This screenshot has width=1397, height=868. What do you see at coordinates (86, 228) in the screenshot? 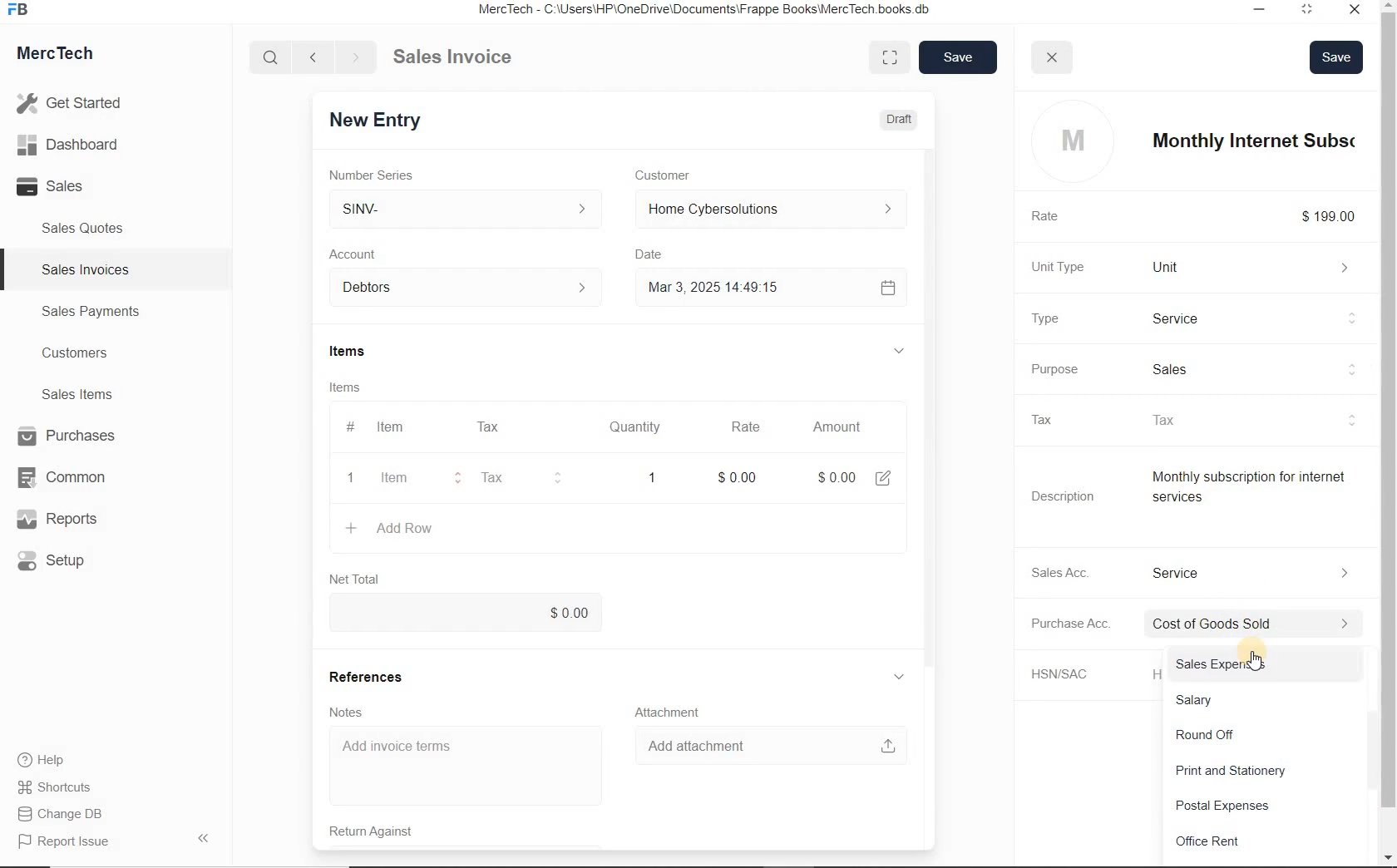
I see `Sales Quotes` at bounding box center [86, 228].